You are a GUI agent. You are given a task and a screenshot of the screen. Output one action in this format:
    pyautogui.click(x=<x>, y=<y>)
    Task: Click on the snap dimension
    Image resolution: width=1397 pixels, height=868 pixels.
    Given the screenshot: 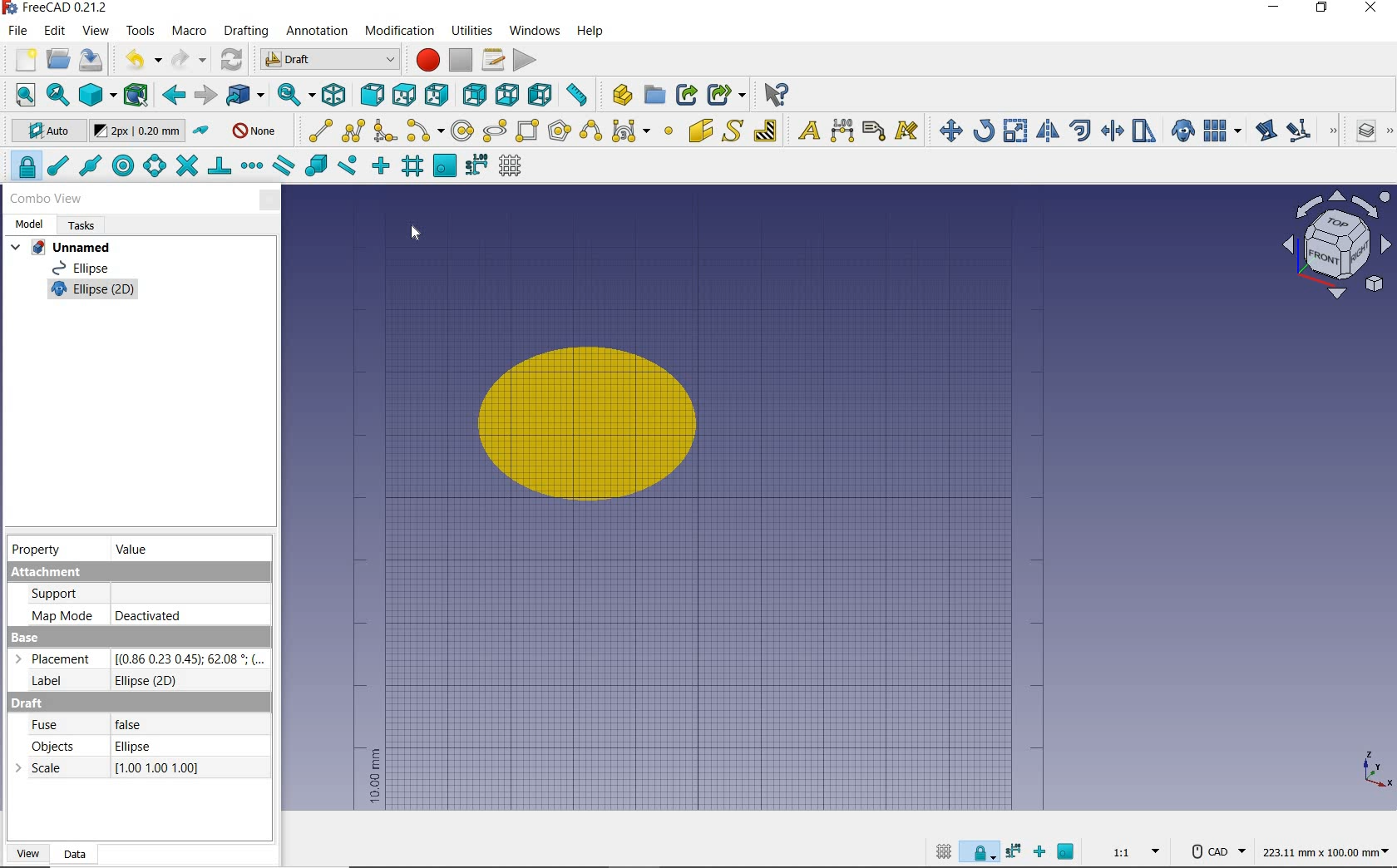 What is the action you would take?
    pyautogui.click(x=1013, y=854)
    